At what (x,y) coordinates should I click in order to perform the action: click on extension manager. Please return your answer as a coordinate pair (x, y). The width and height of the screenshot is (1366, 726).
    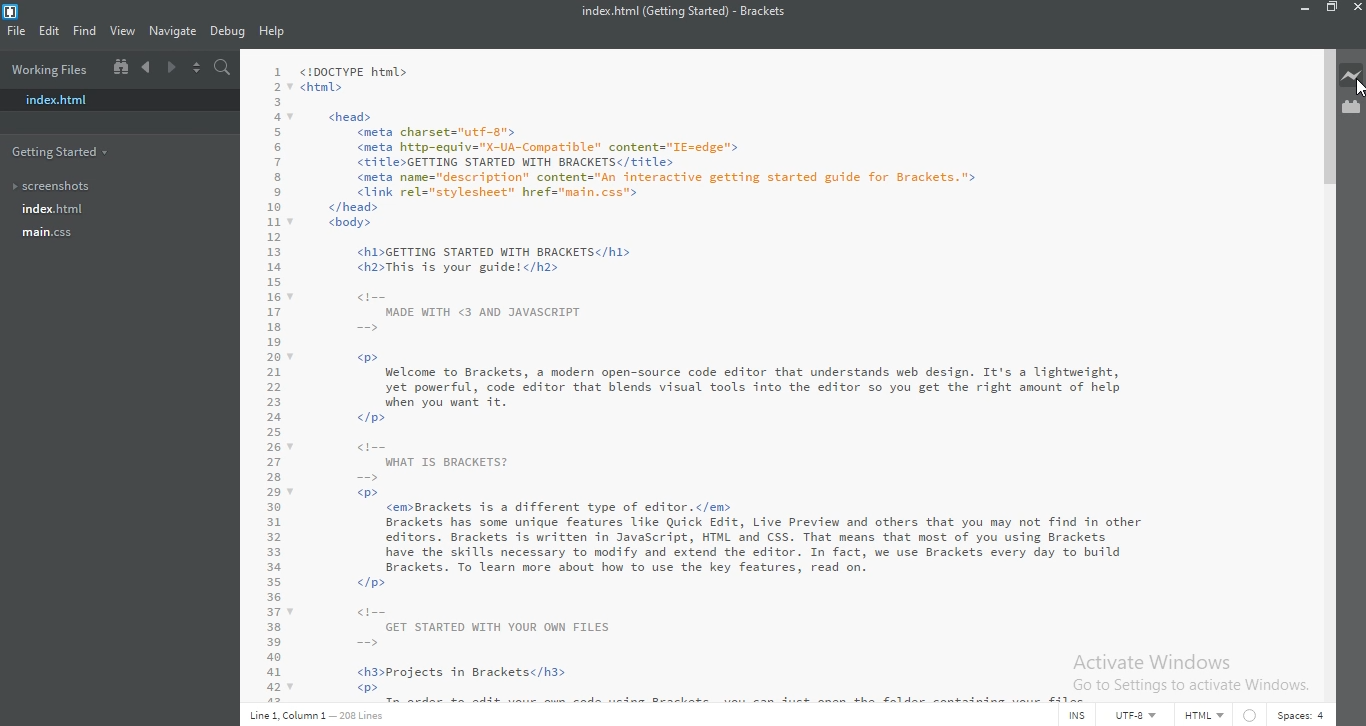
    Looking at the image, I should click on (1350, 110).